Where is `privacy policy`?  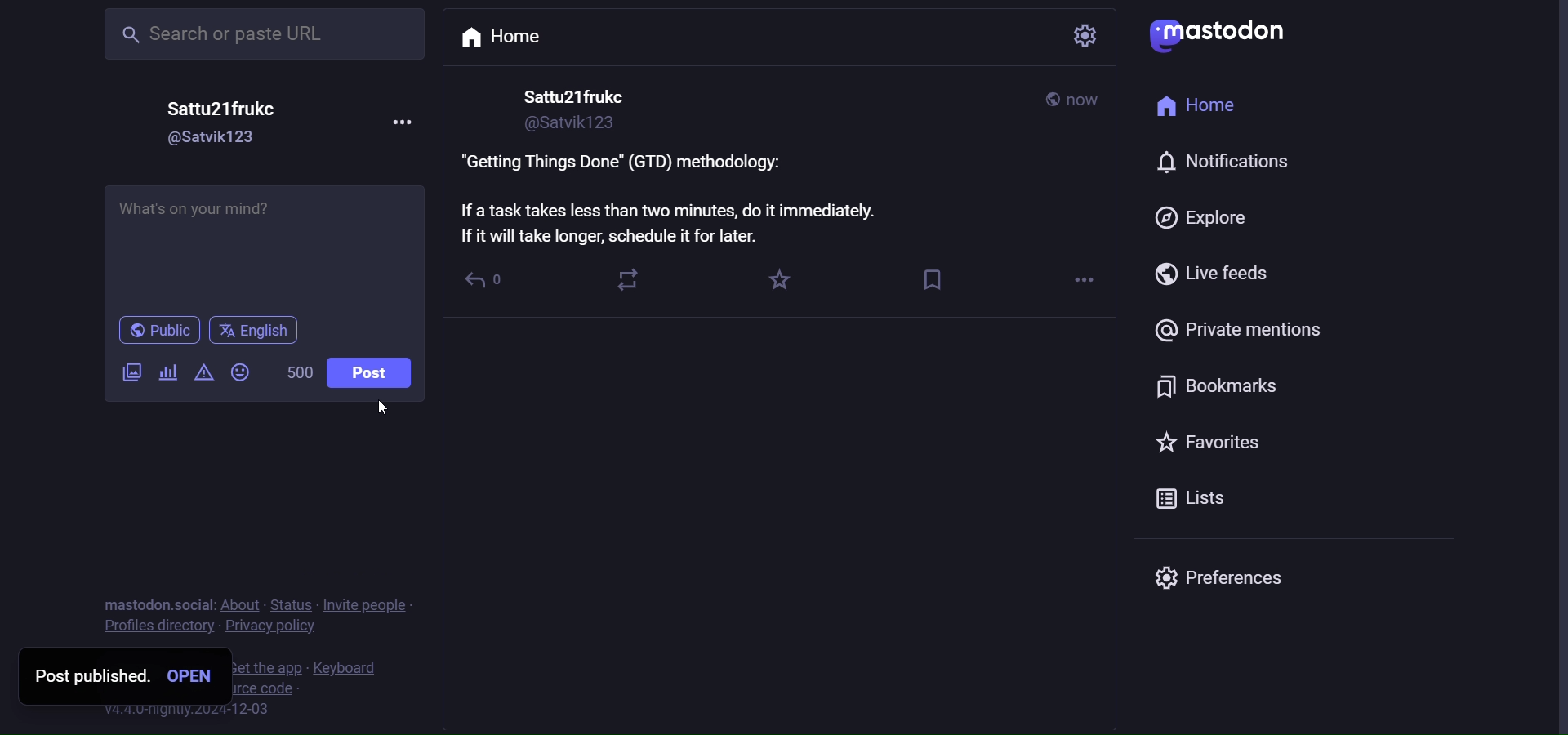
privacy policy is located at coordinates (271, 626).